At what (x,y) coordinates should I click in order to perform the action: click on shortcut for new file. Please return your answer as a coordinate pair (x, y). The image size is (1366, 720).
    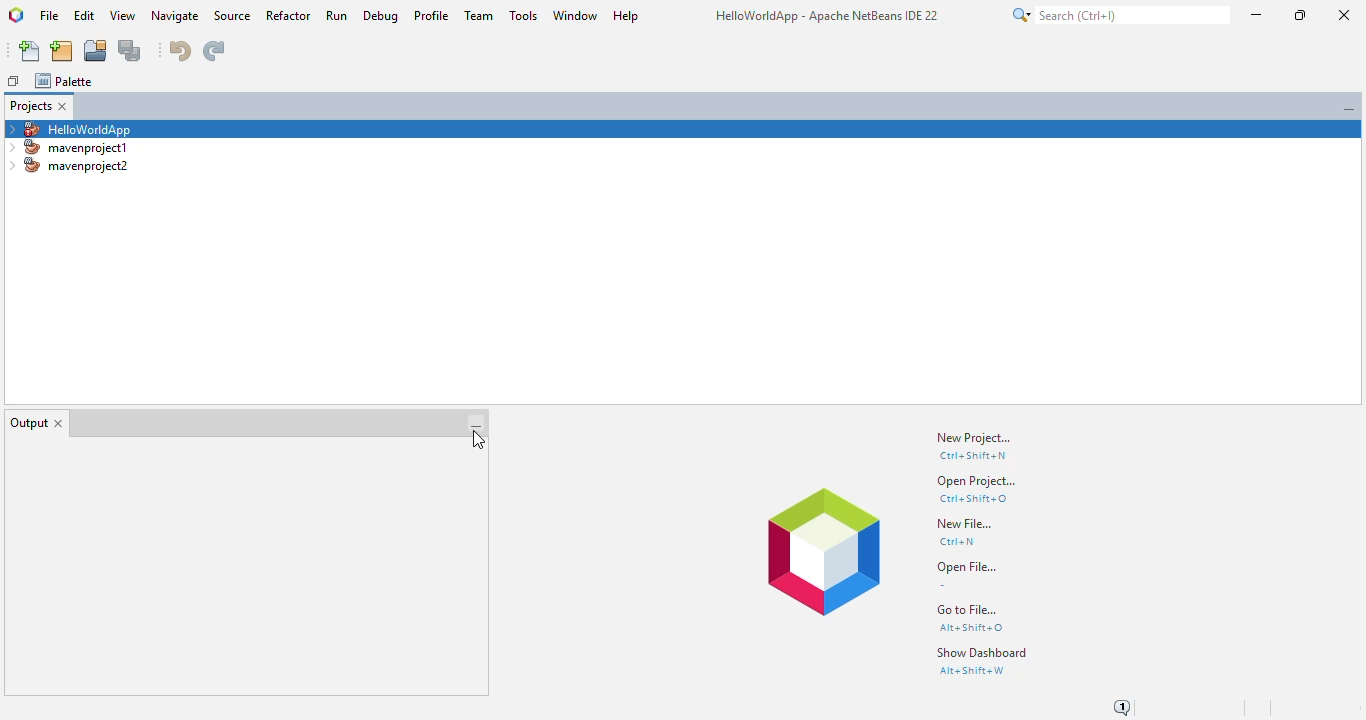
    Looking at the image, I should click on (957, 542).